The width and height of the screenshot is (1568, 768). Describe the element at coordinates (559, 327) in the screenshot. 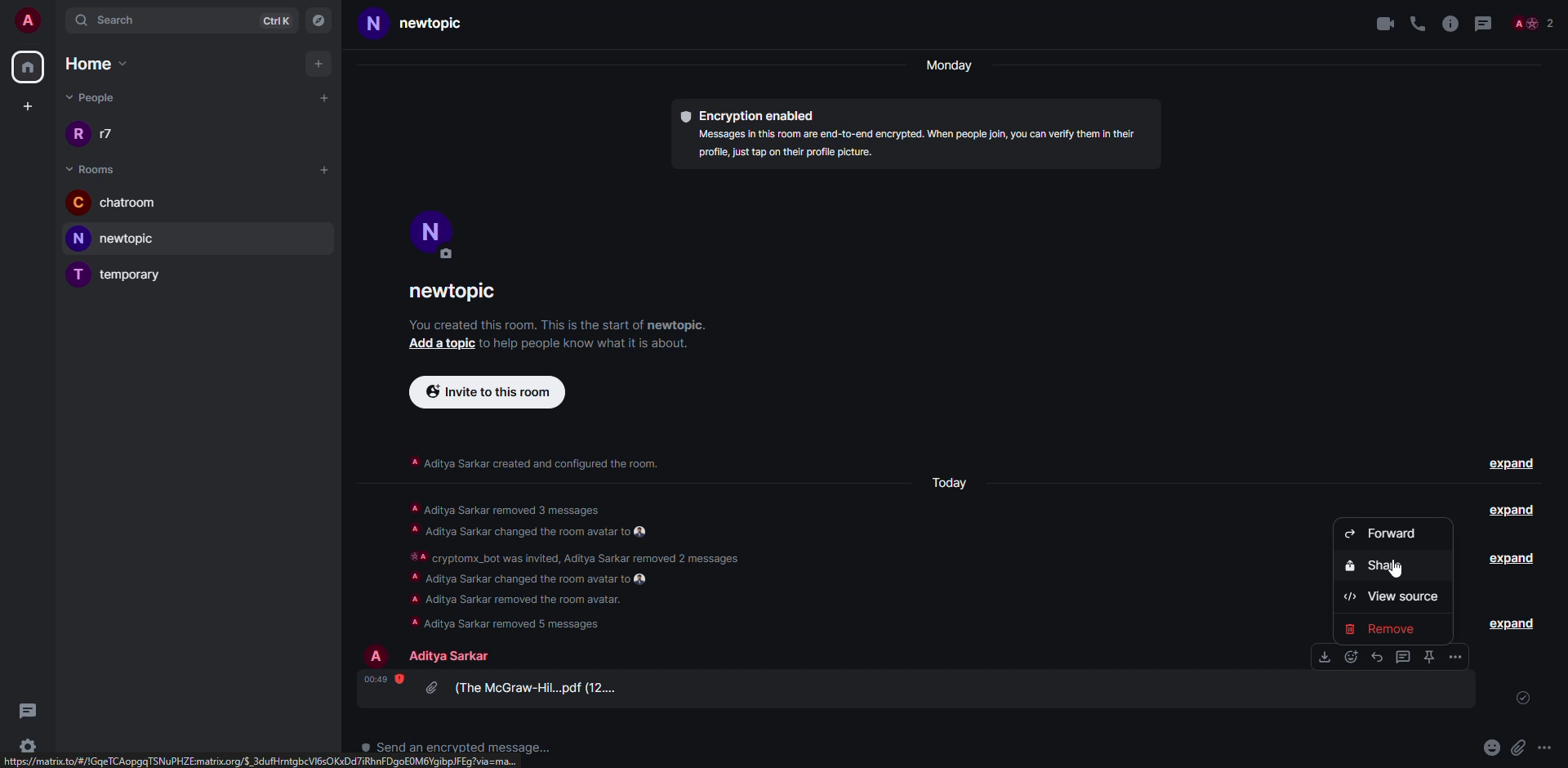

I see `info` at that location.